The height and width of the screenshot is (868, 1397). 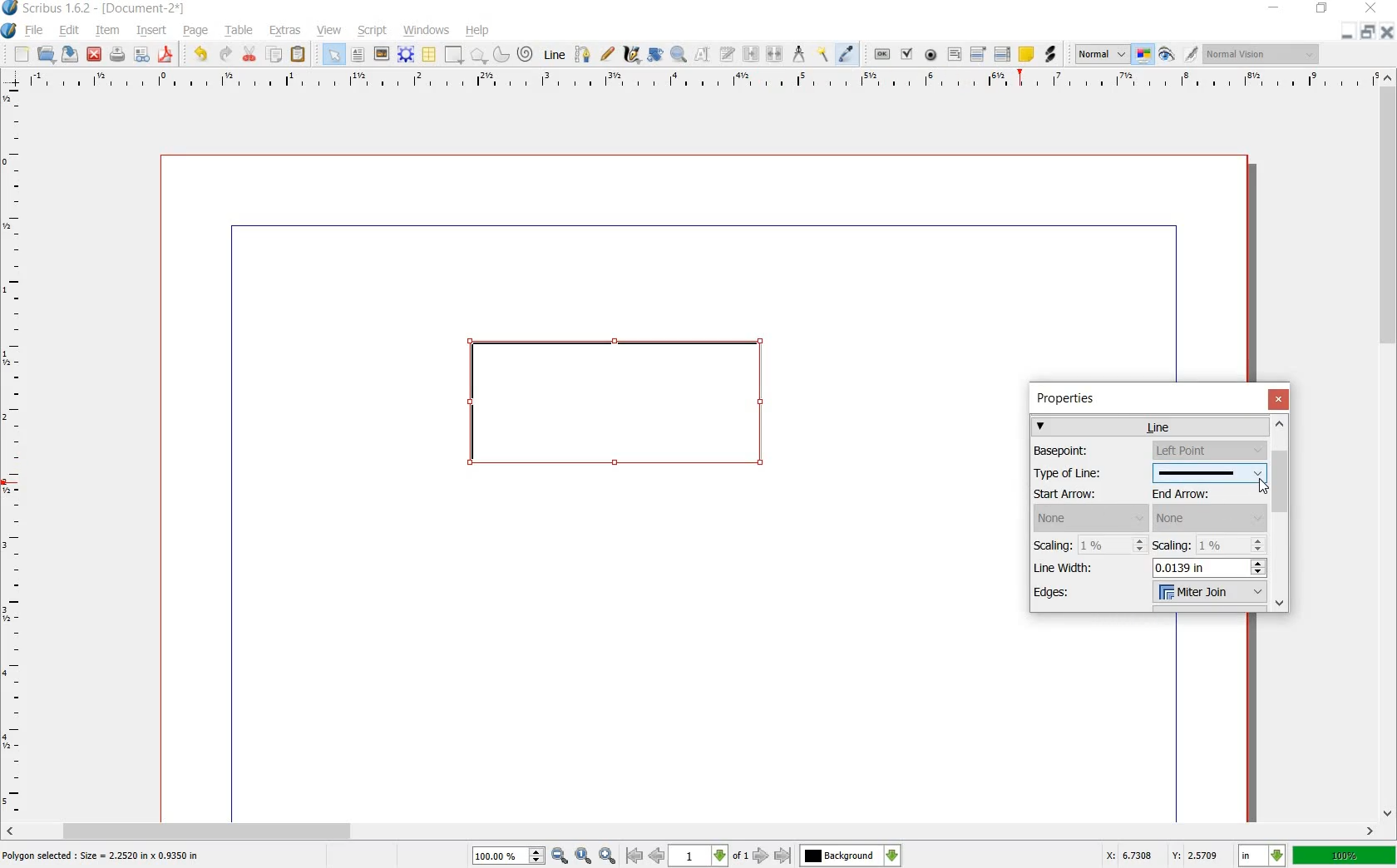 I want to click on select the current layer, so click(x=851, y=856).